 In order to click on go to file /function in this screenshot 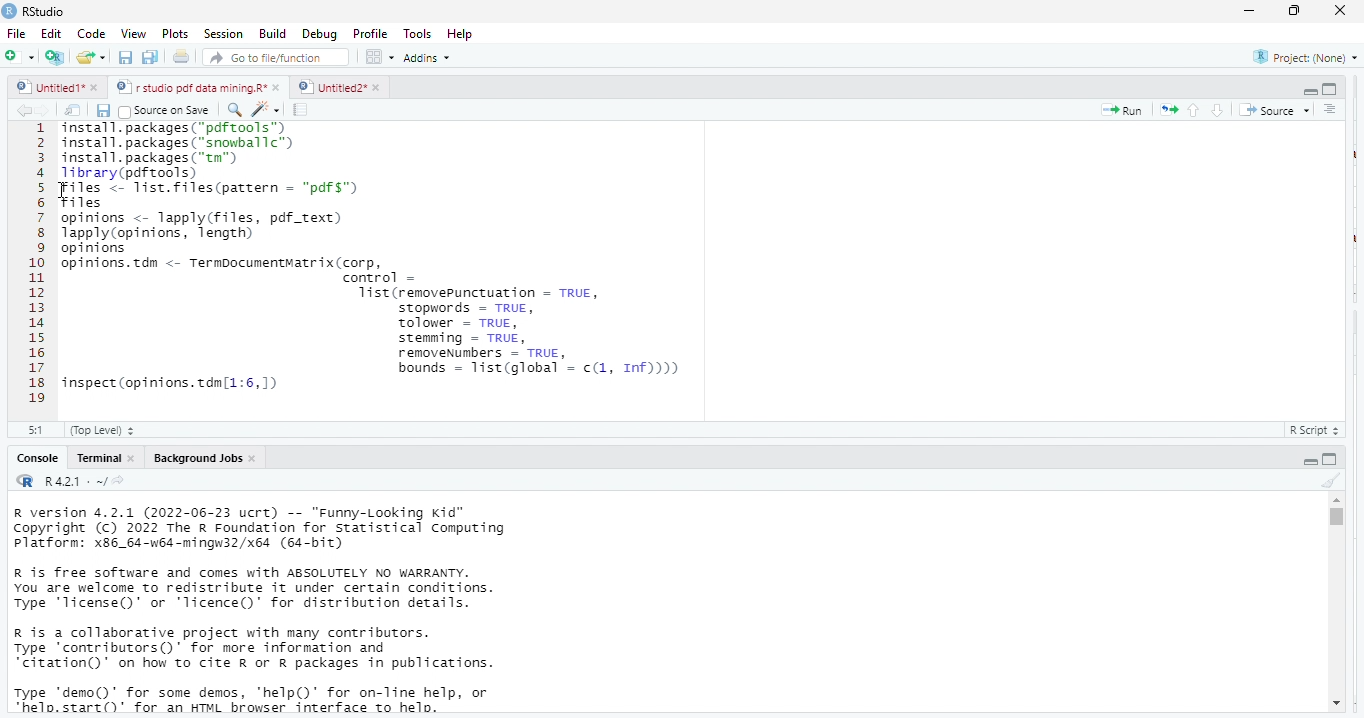, I will do `click(272, 56)`.